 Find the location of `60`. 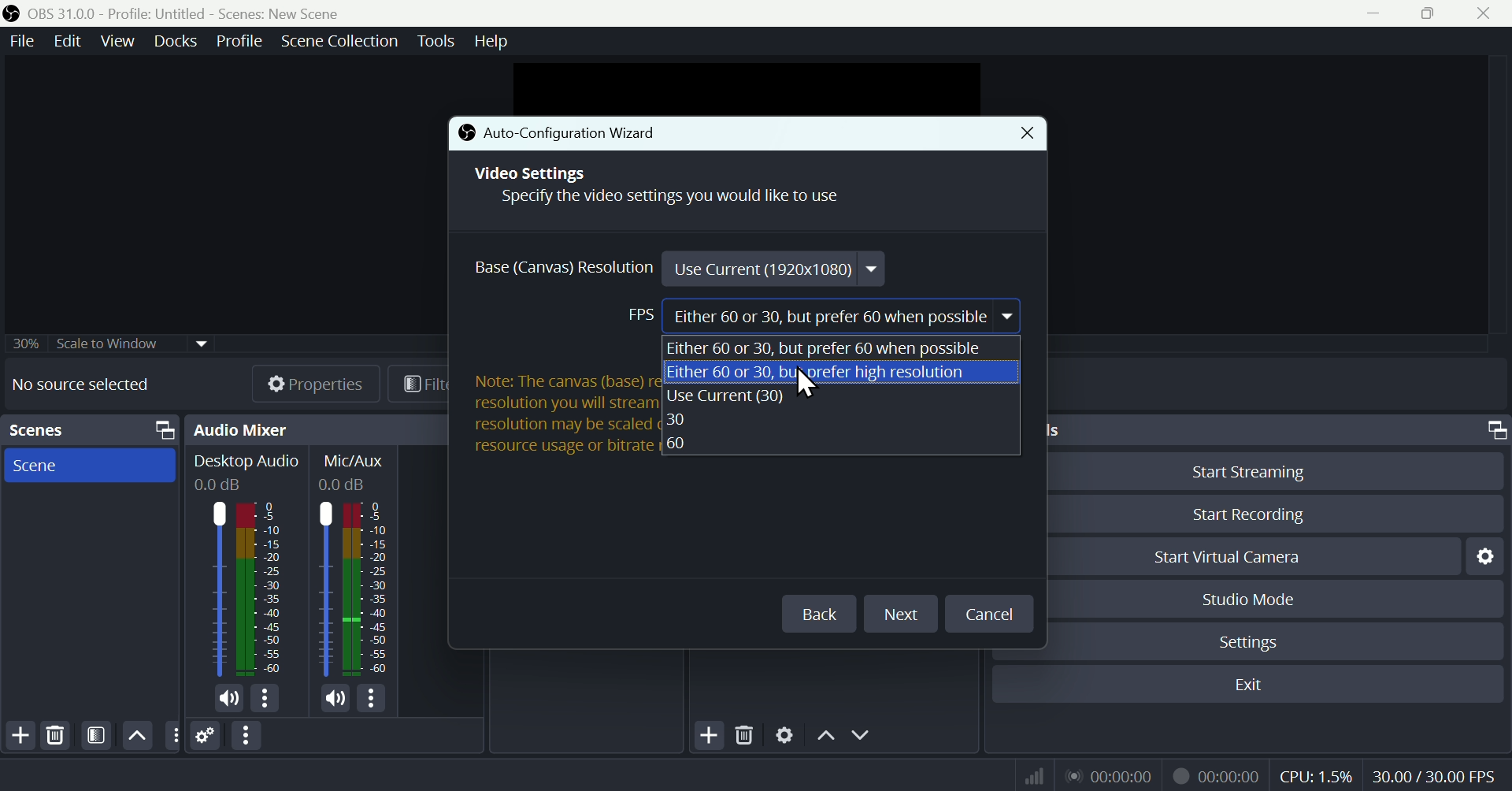

60 is located at coordinates (684, 442).